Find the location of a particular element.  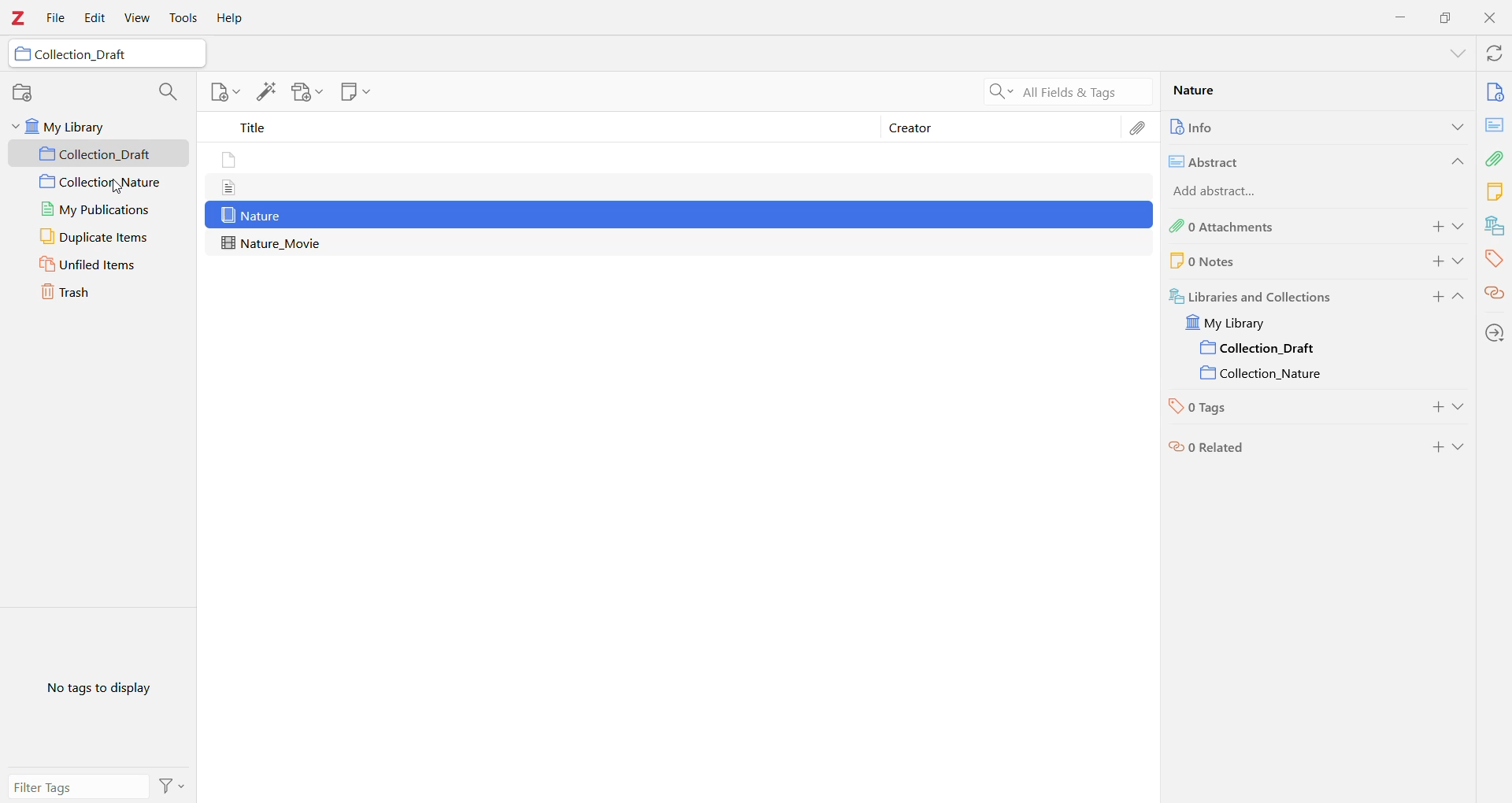

file is located at coordinates (229, 159).